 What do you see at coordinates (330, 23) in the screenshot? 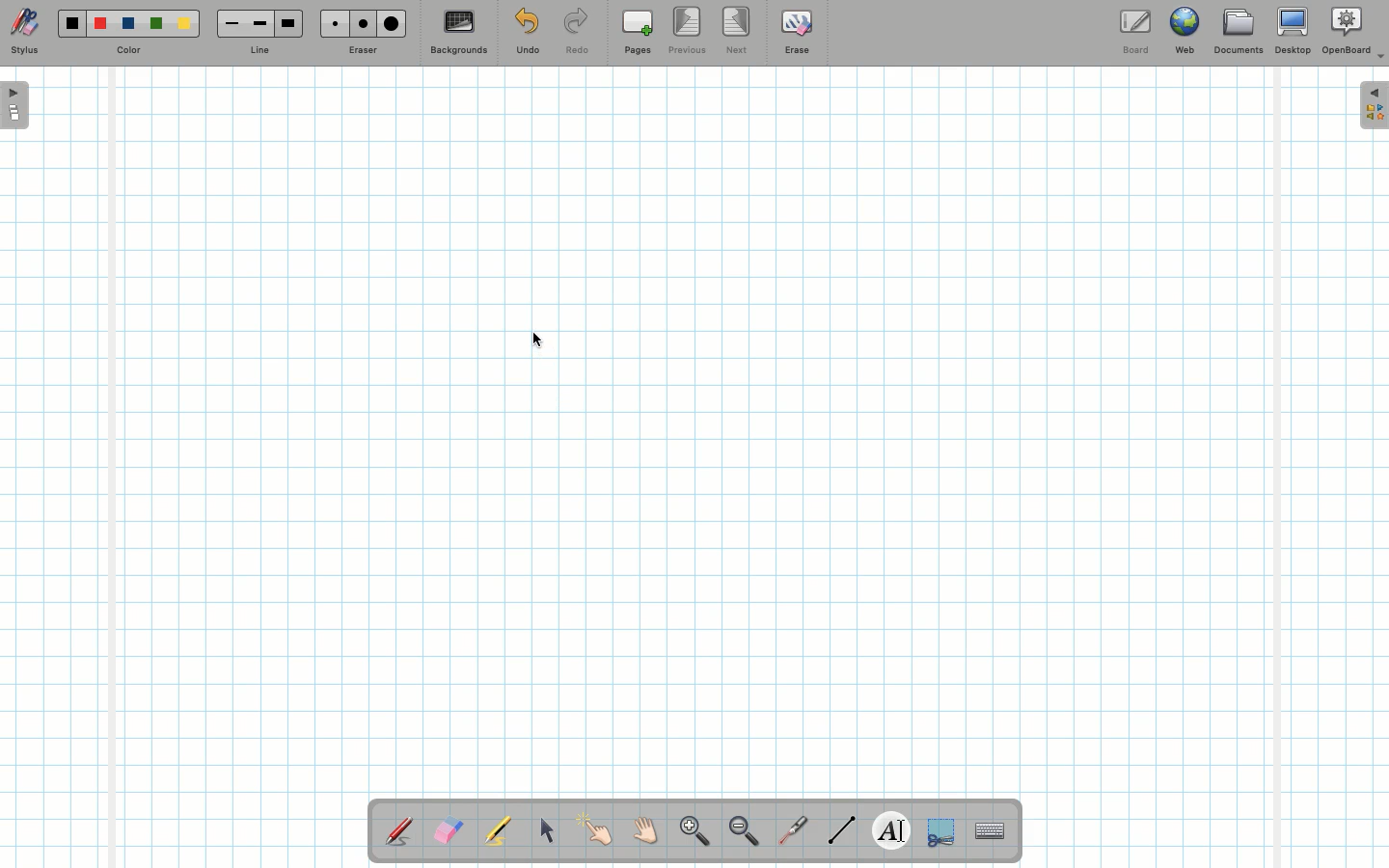
I see `Small eraser` at bounding box center [330, 23].